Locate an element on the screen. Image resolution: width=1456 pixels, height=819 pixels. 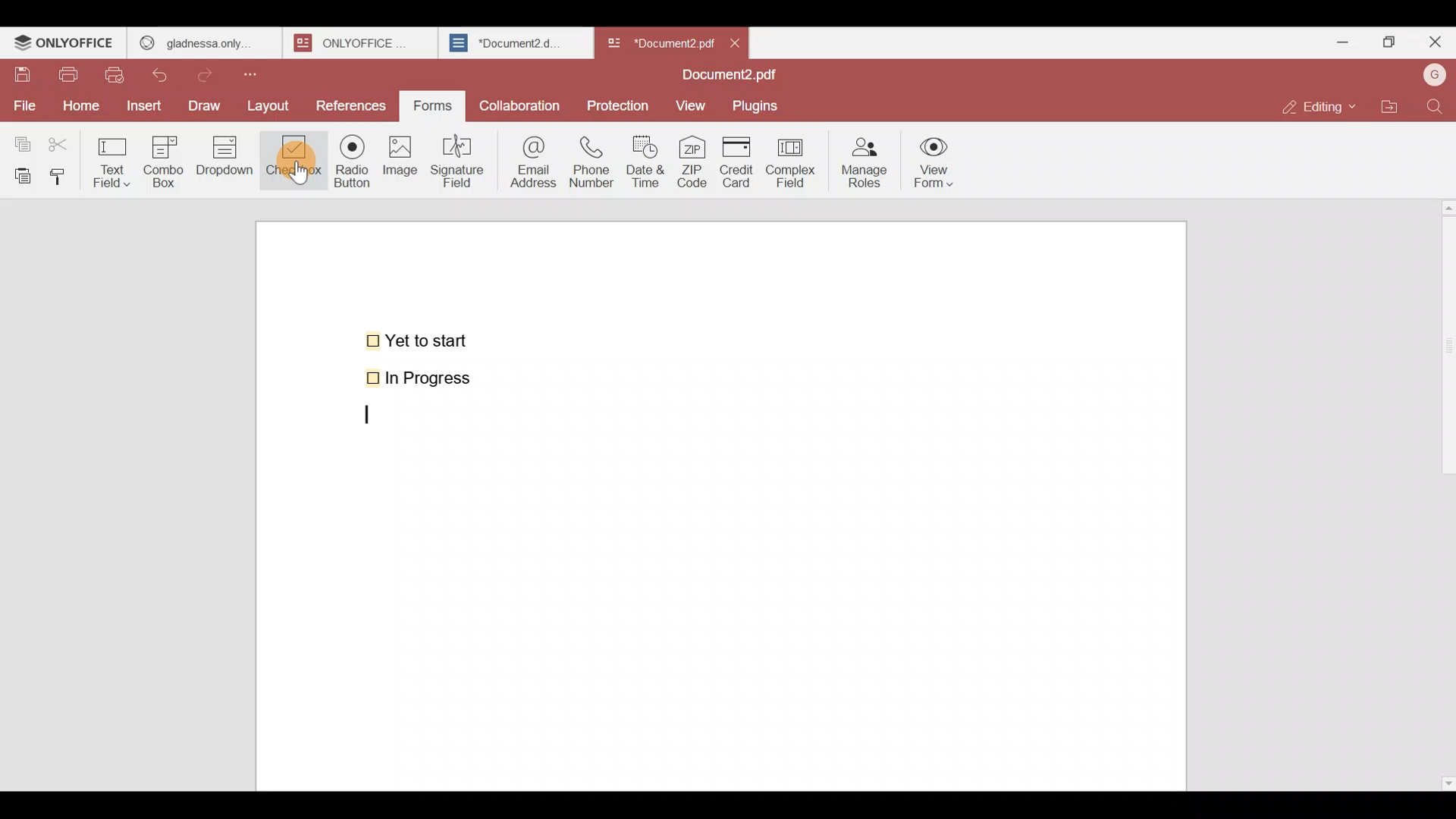
Customize quick access toolbar is located at coordinates (263, 71).